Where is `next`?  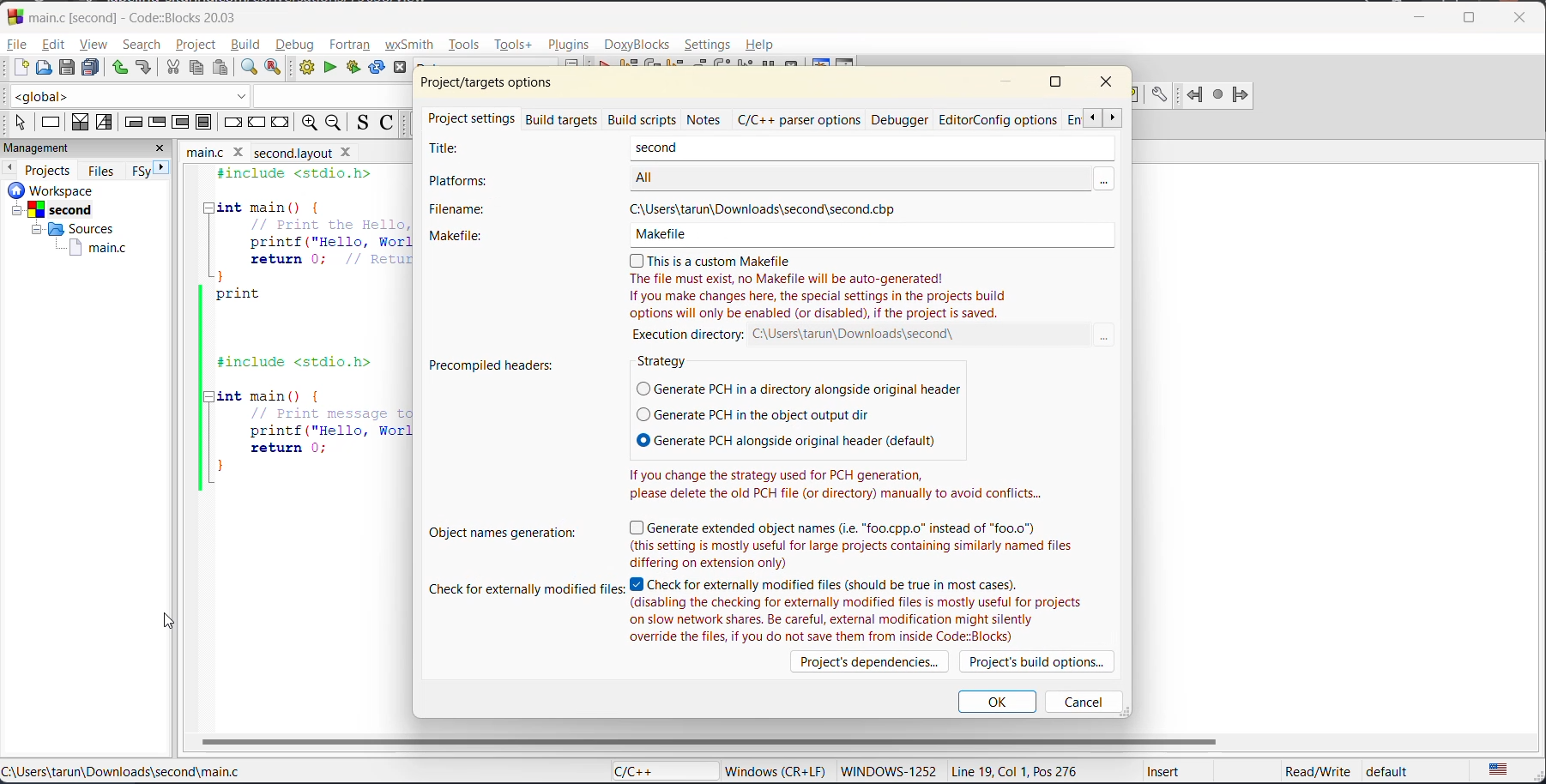
next is located at coordinates (154, 171).